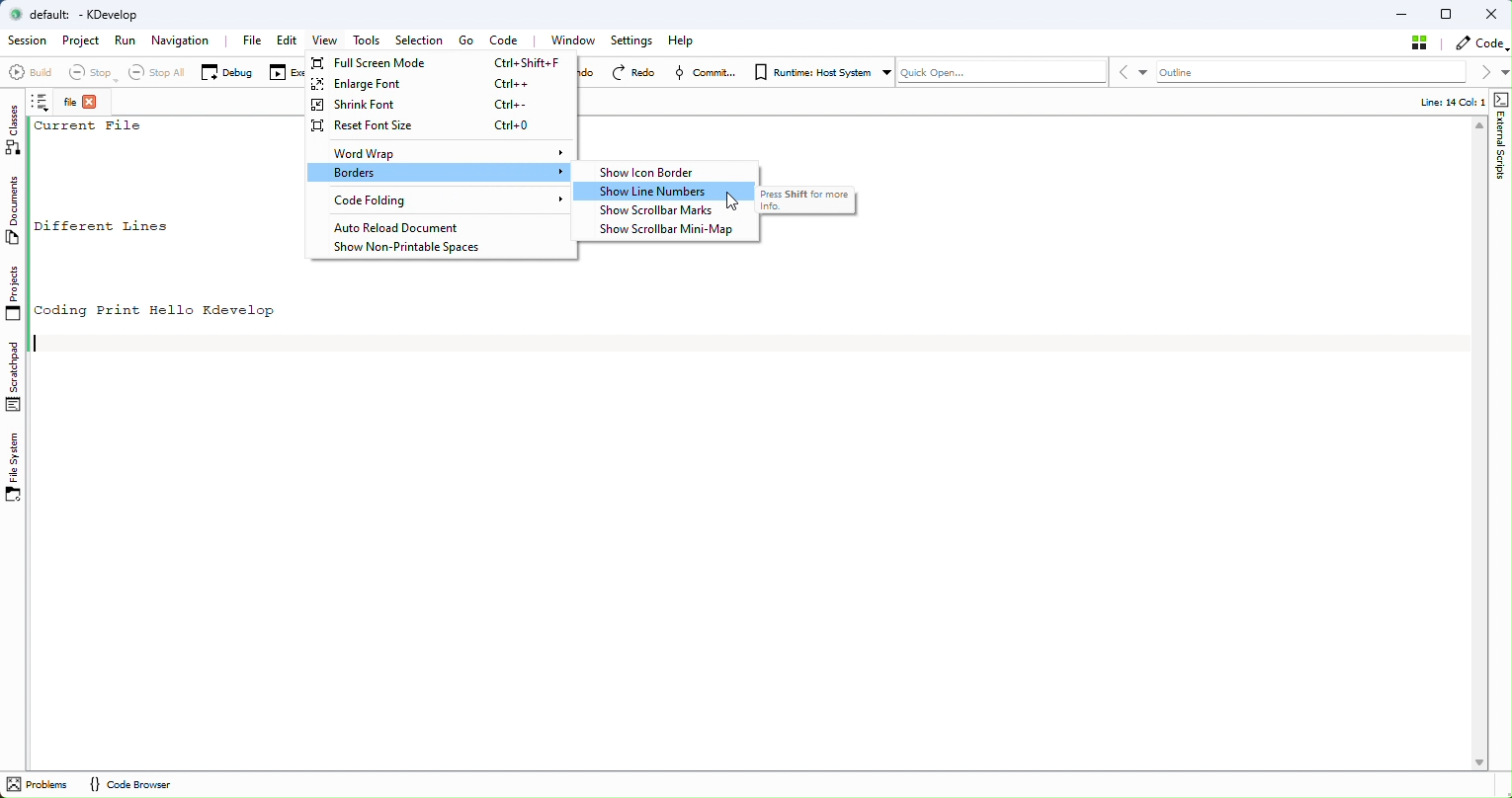  Describe the element at coordinates (441, 173) in the screenshot. I see `Borders` at that location.